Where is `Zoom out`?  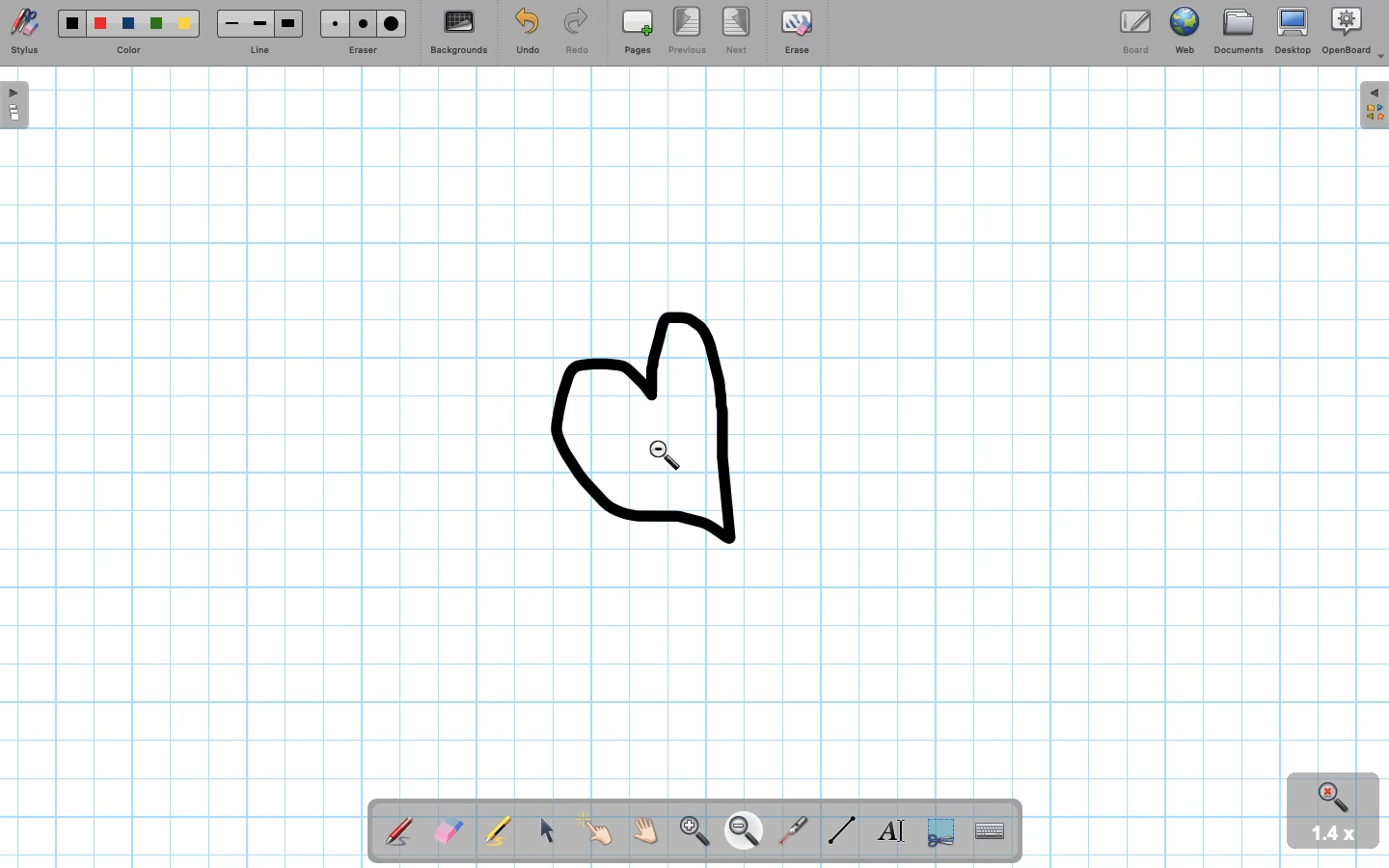 Zoom out is located at coordinates (744, 832).